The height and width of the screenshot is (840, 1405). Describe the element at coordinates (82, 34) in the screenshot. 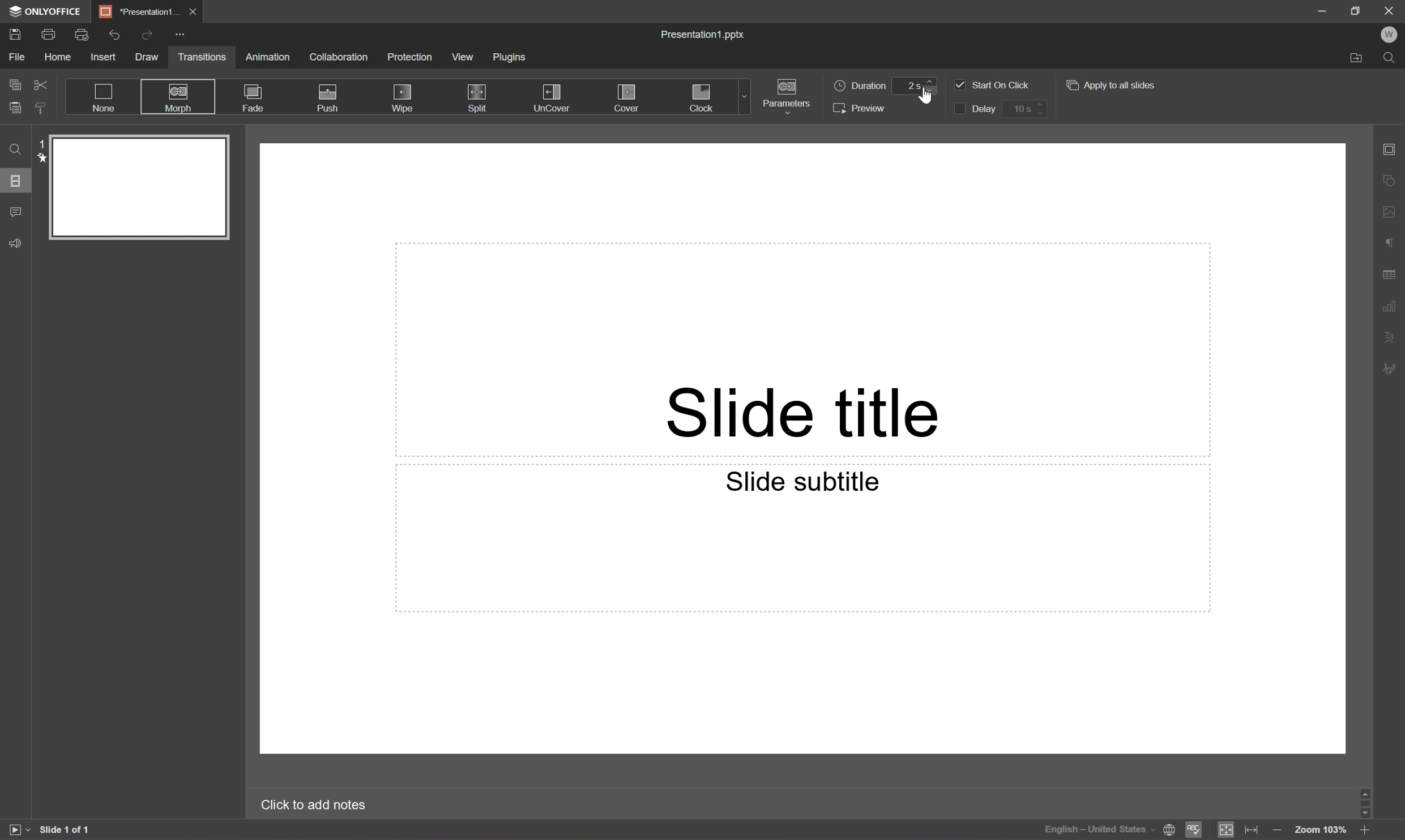

I see `Quick print` at that location.